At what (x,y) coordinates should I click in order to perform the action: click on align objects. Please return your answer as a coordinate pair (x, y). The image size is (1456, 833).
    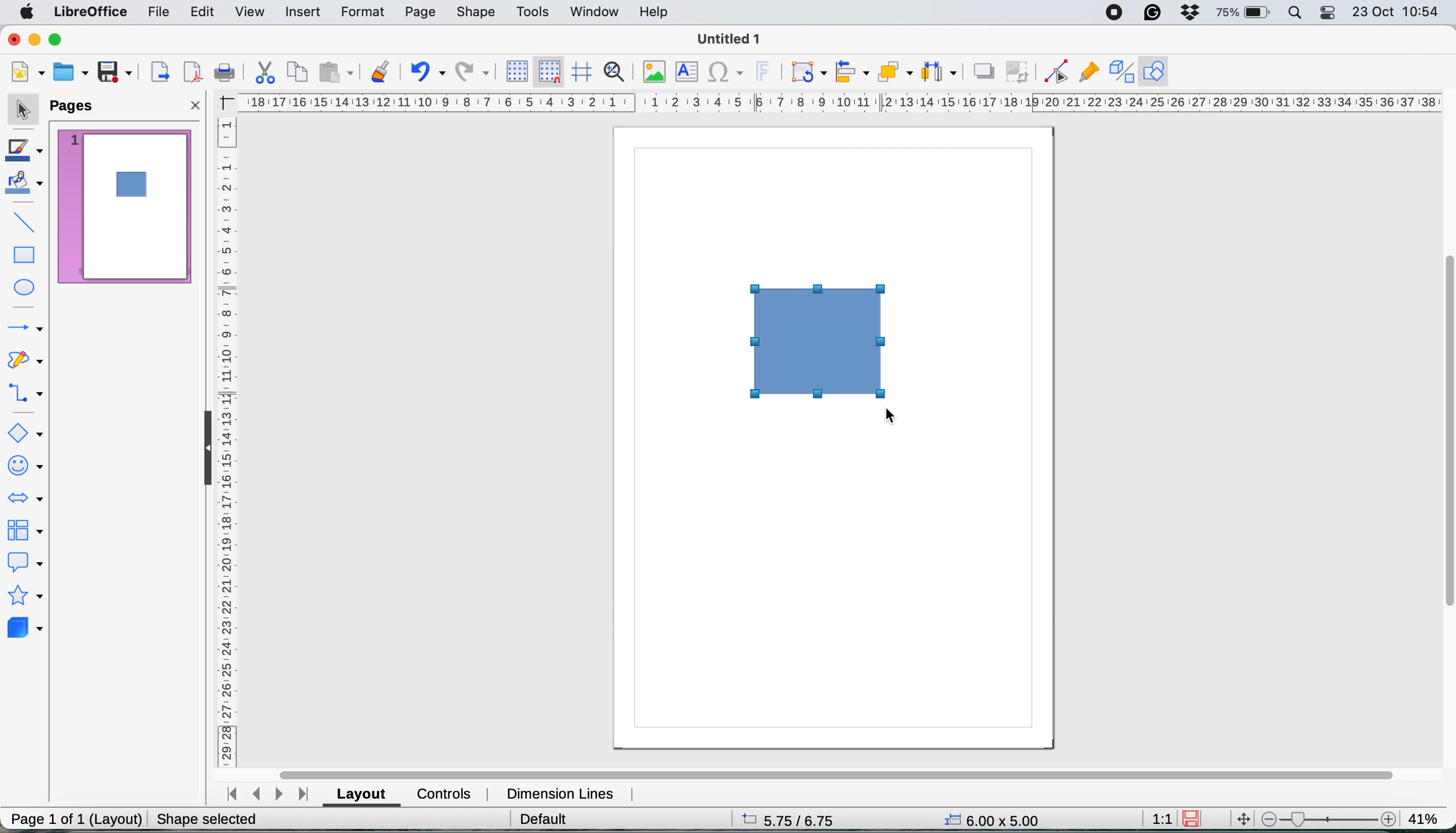
    Looking at the image, I should click on (852, 72).